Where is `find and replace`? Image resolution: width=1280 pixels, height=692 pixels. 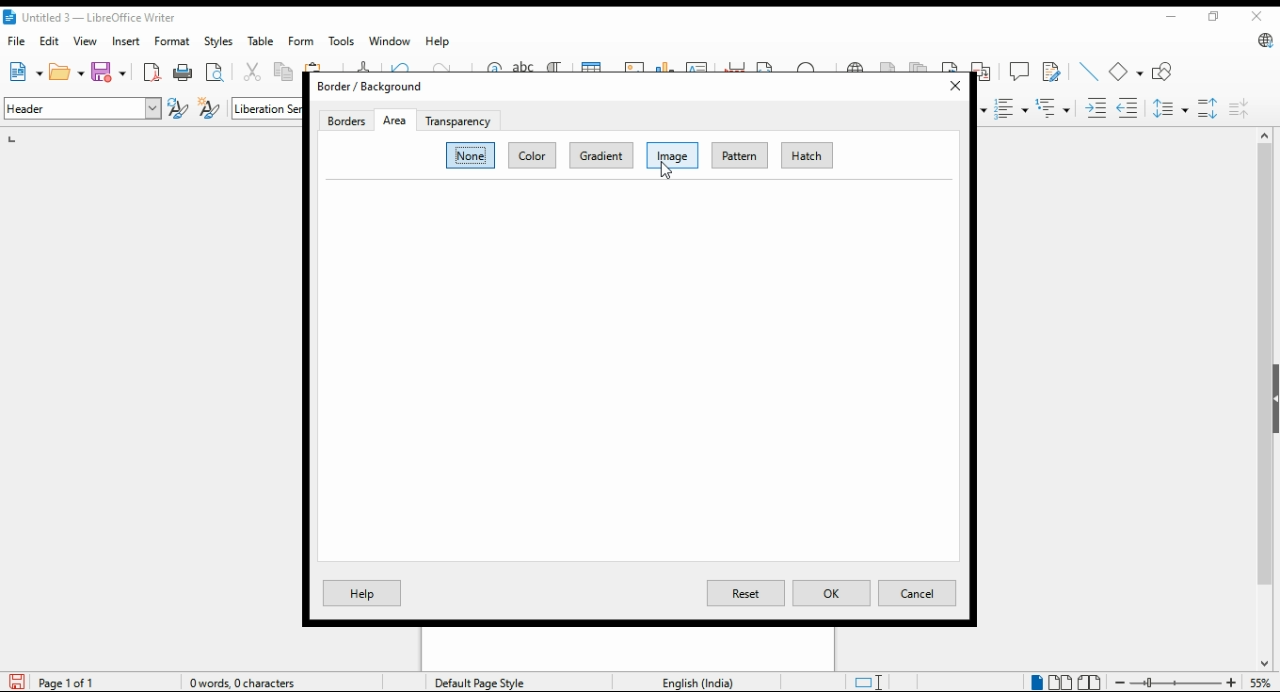
find and replace is located at coordinates (494, 65).